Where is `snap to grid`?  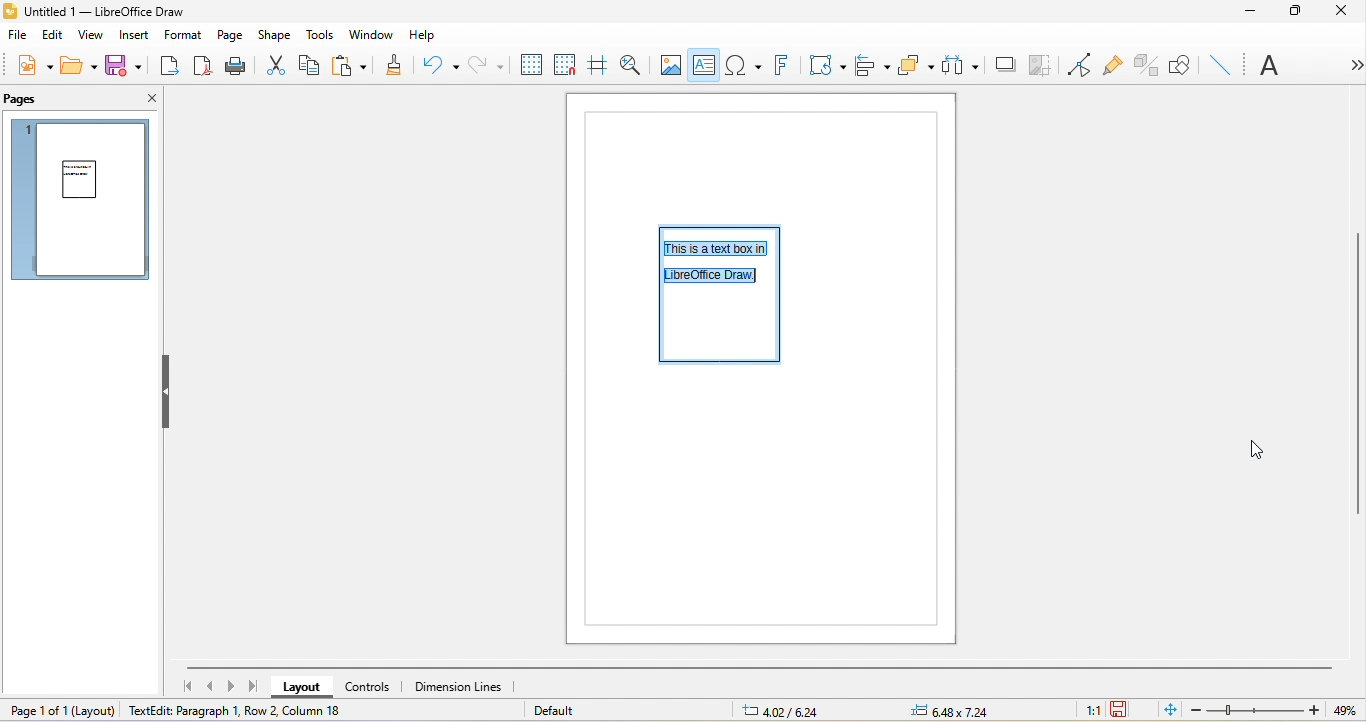
snap to grid is located at coordinates (563, 66).